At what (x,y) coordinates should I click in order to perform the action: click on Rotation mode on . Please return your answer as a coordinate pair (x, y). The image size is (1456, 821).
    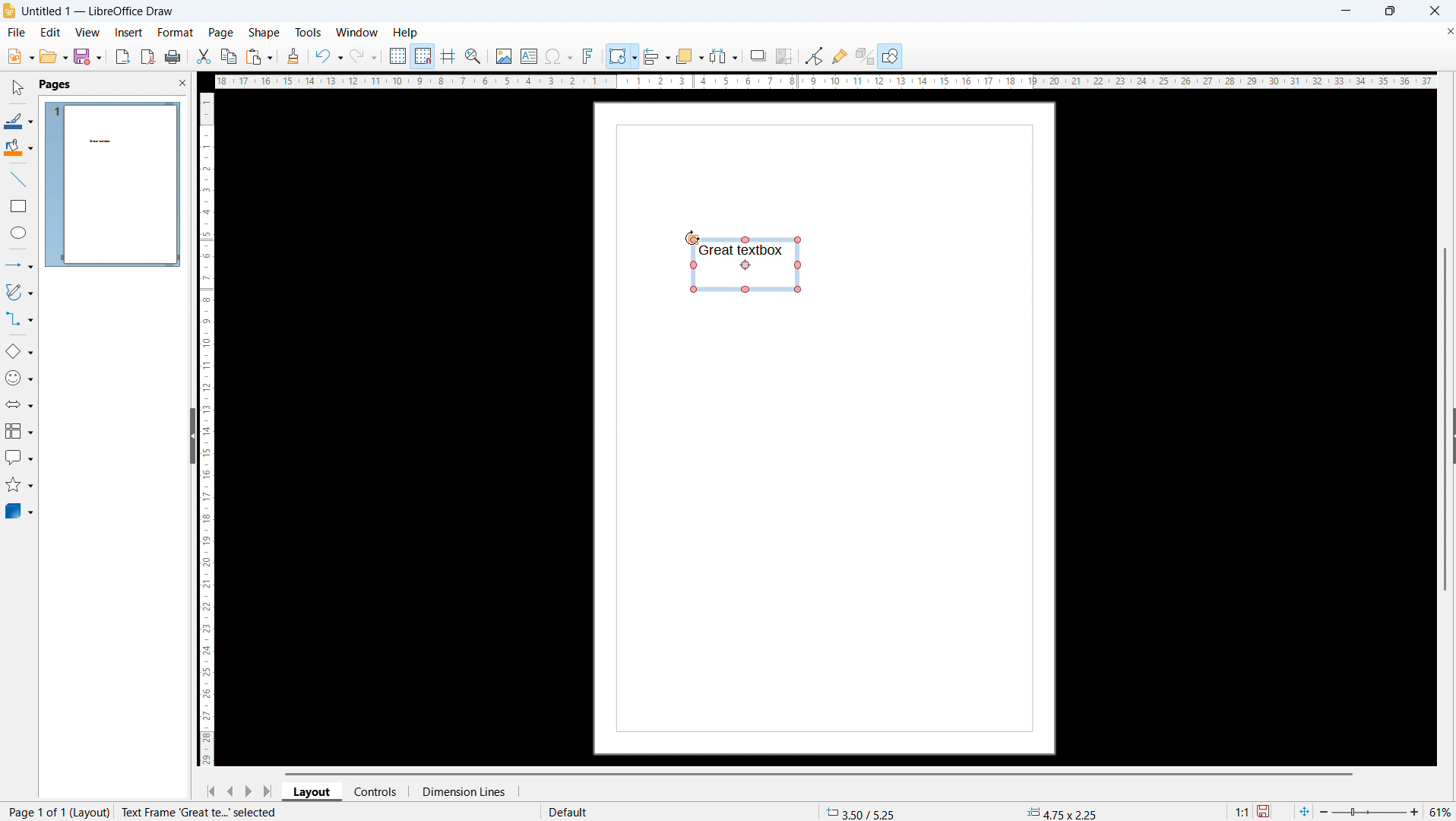
    Looking at the image, I should click on (742, 263).